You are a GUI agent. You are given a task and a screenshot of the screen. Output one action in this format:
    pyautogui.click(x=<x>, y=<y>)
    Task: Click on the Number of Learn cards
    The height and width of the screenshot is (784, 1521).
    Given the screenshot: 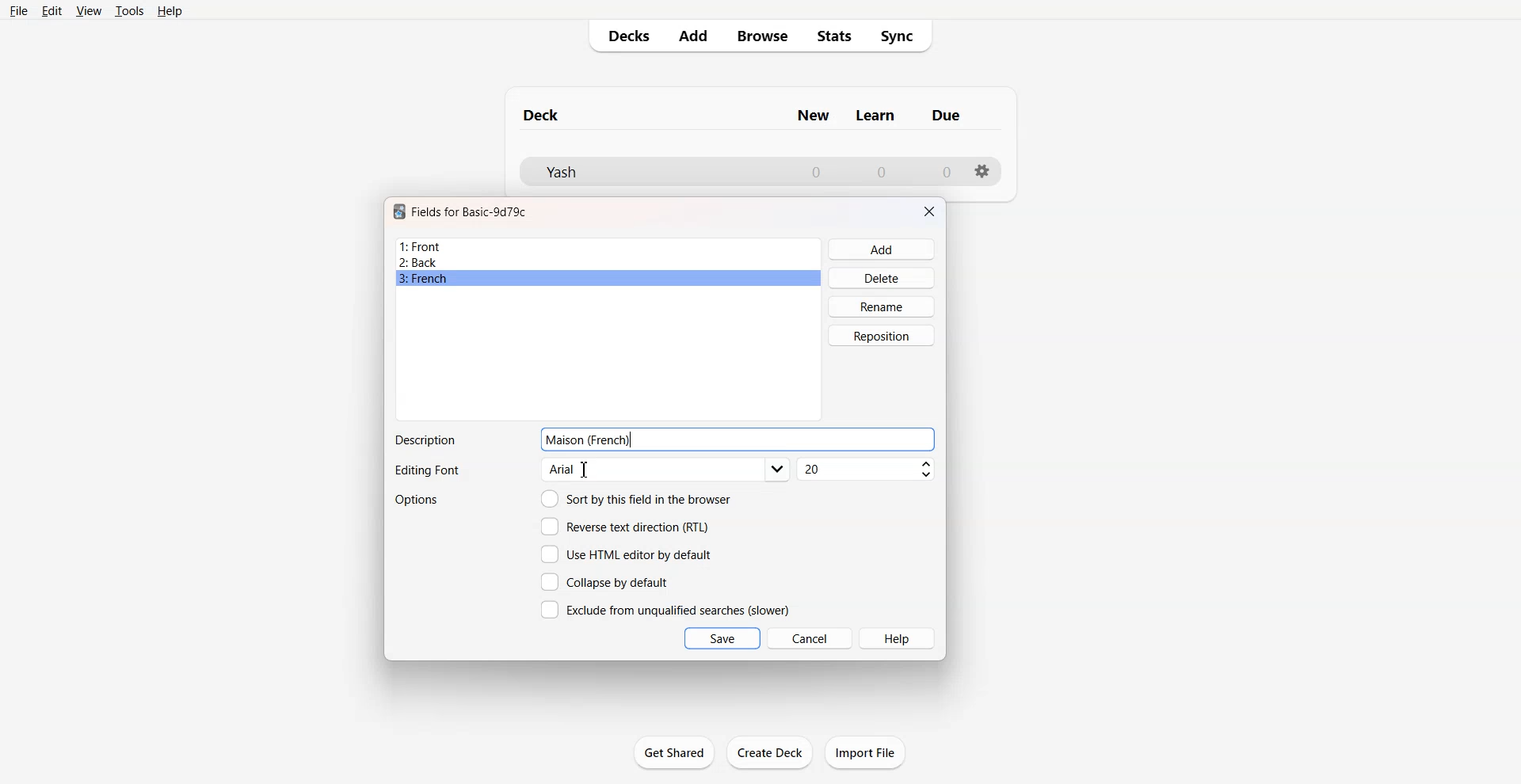 What is the action you would take?
    pyautogui.click(x=882, y=171)
    